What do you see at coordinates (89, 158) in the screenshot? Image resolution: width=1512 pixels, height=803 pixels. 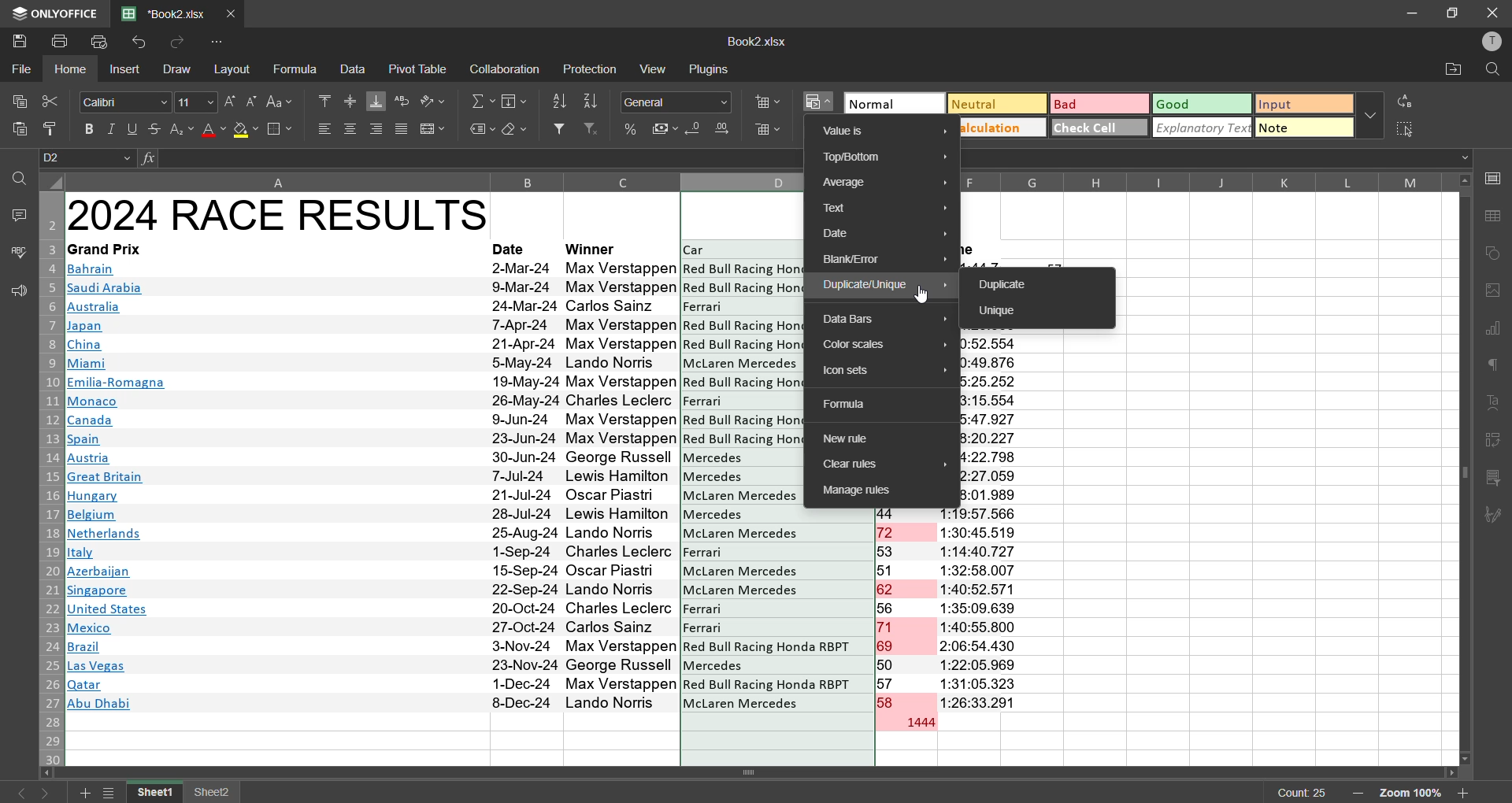 I see `cell address` at bounding box center [89, 158].